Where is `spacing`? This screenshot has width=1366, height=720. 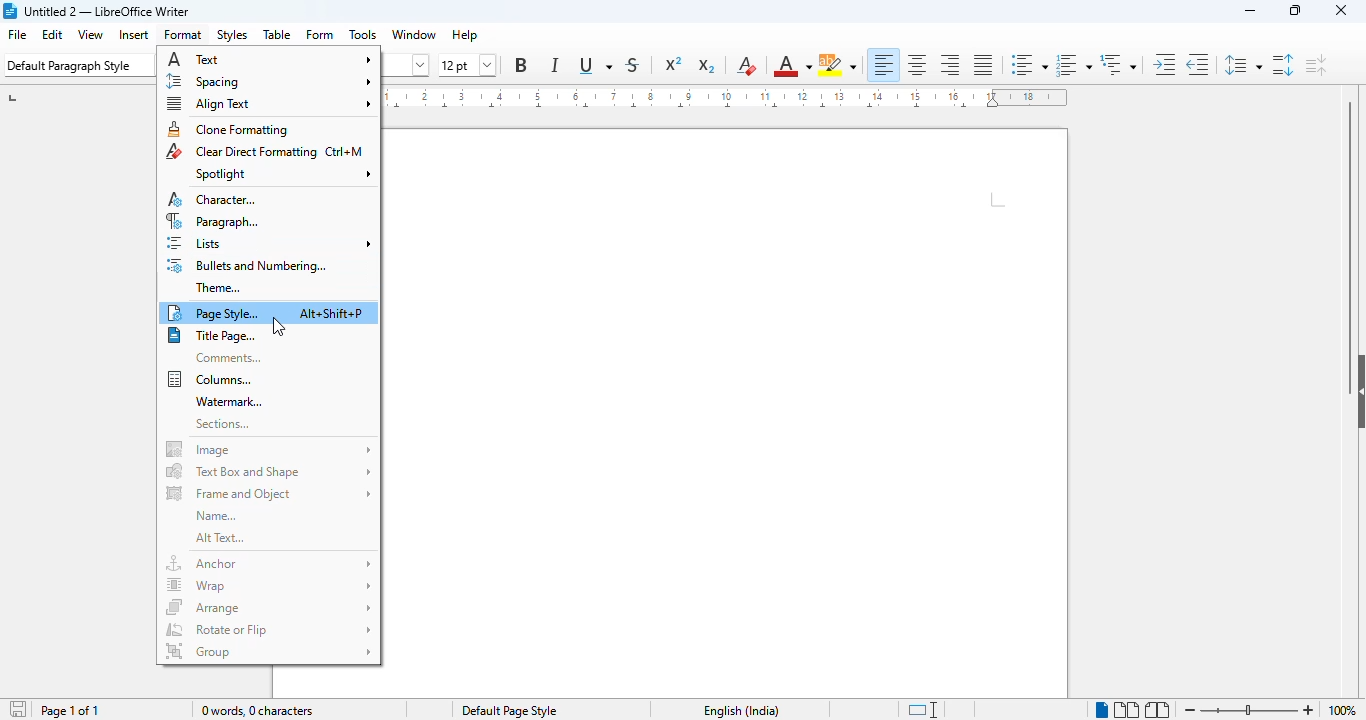 spacing is located at coordinates (267, 81).